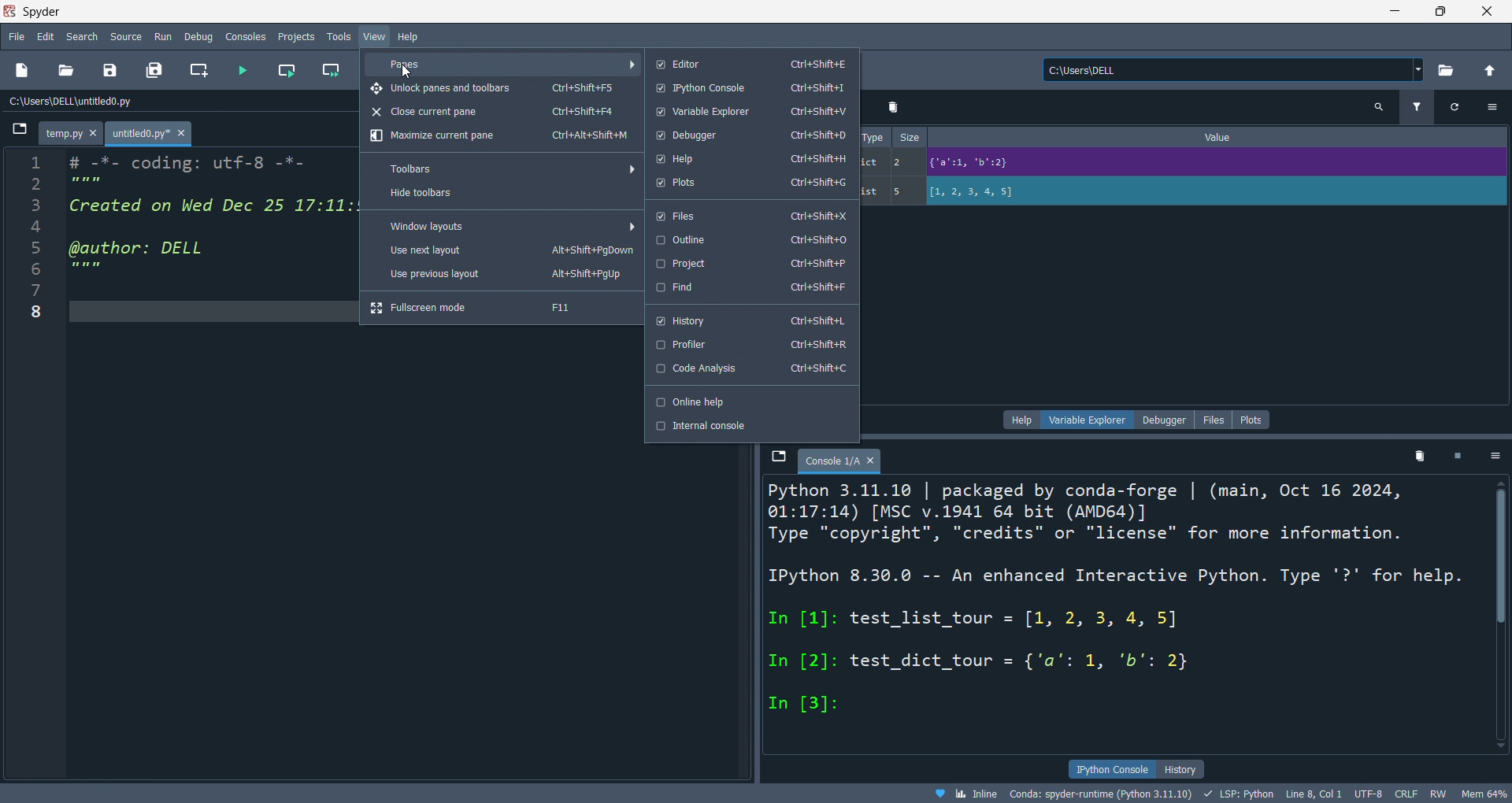 This screenshot has height=803, width=1512. I want to click on projects, so click(295, 35).